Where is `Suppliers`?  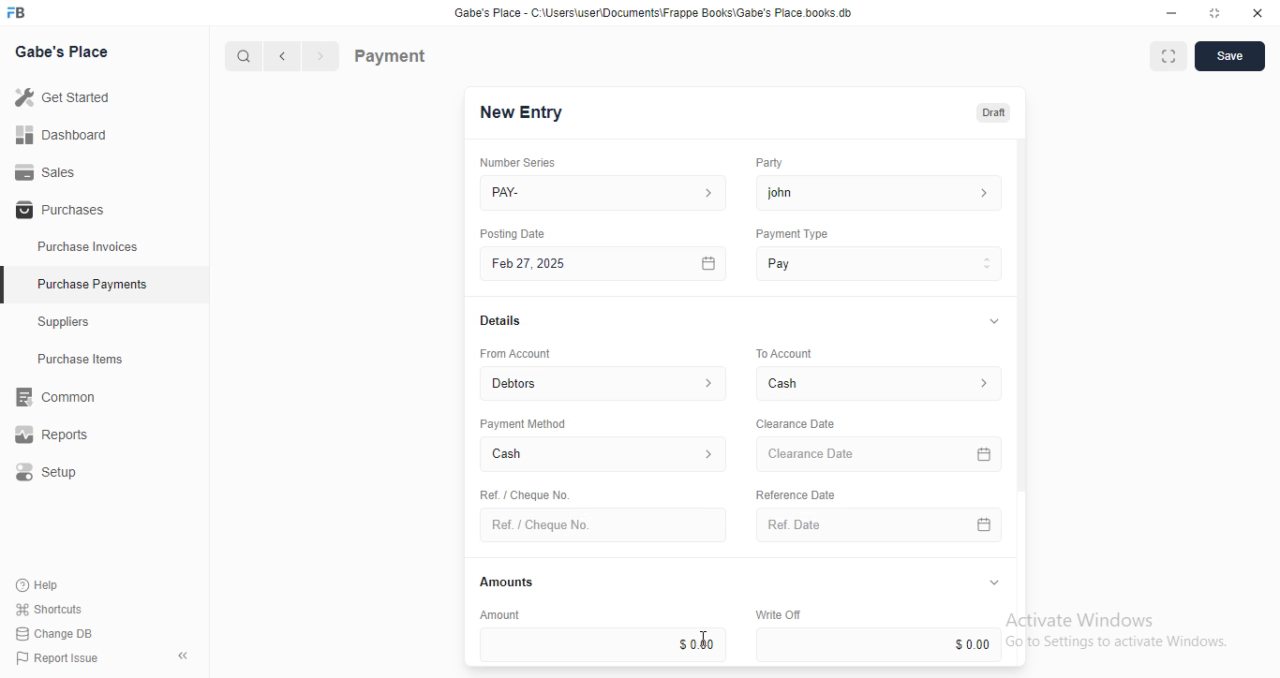
Suppliers is located at coordinates (70, 324).